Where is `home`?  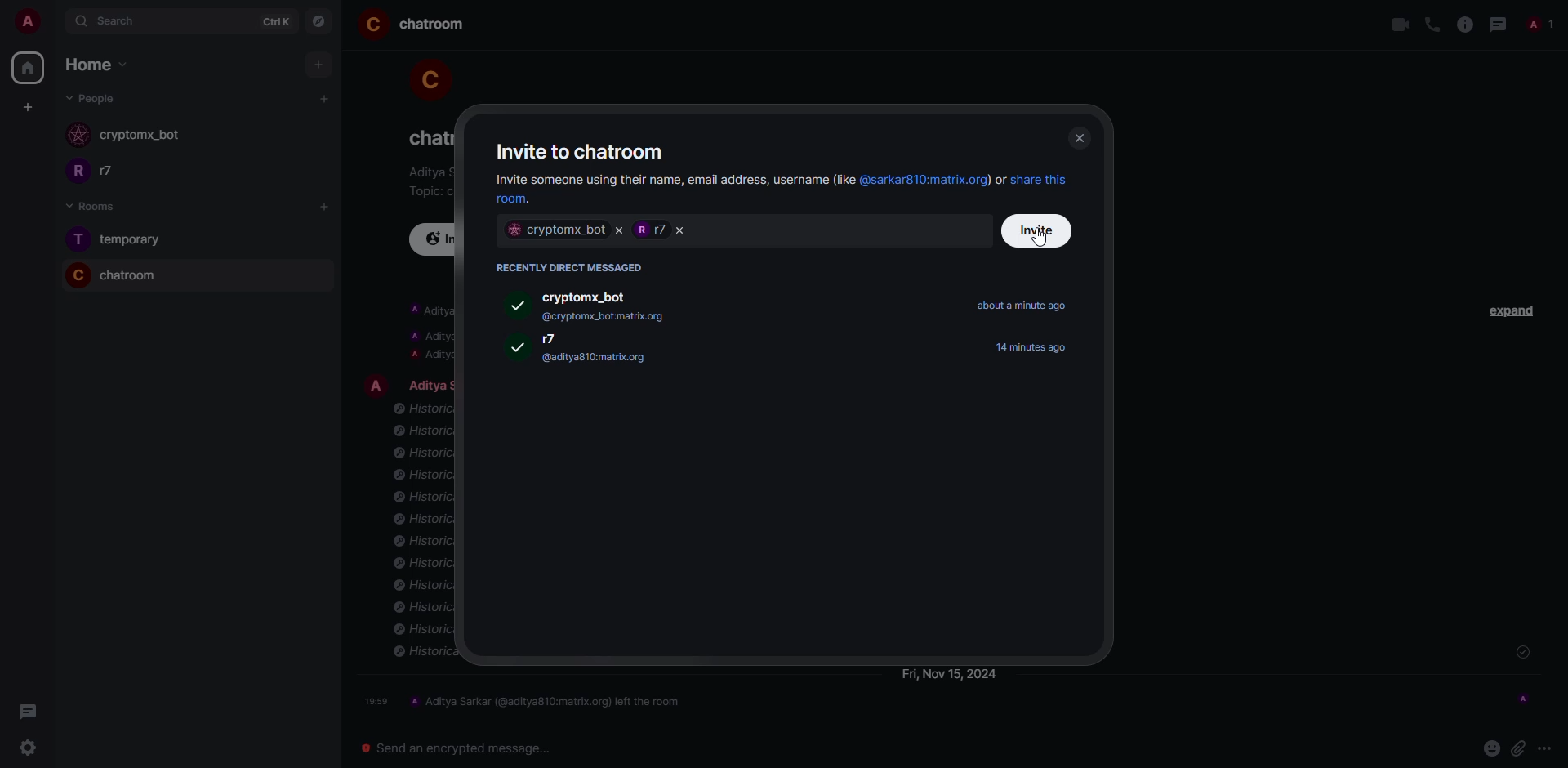
home is located at coordinates (27, 68).